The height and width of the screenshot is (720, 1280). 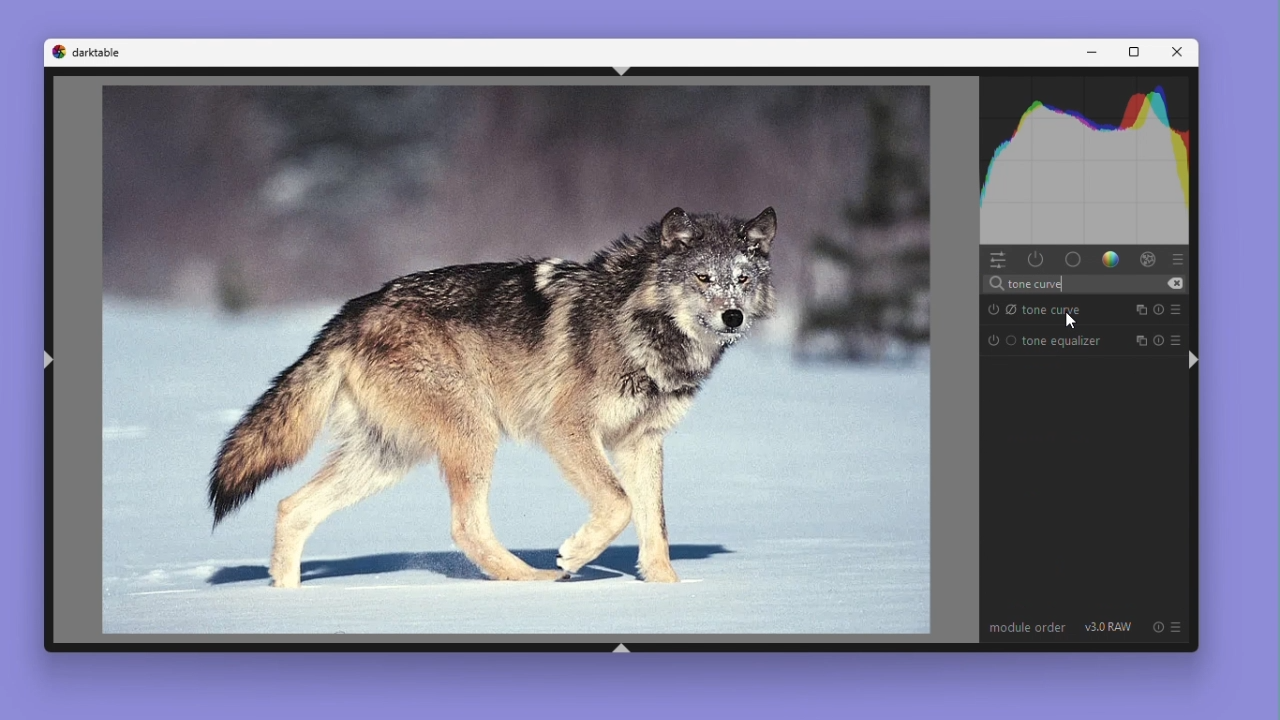 I want to click on Waveform, so click(x=1086, y=163).